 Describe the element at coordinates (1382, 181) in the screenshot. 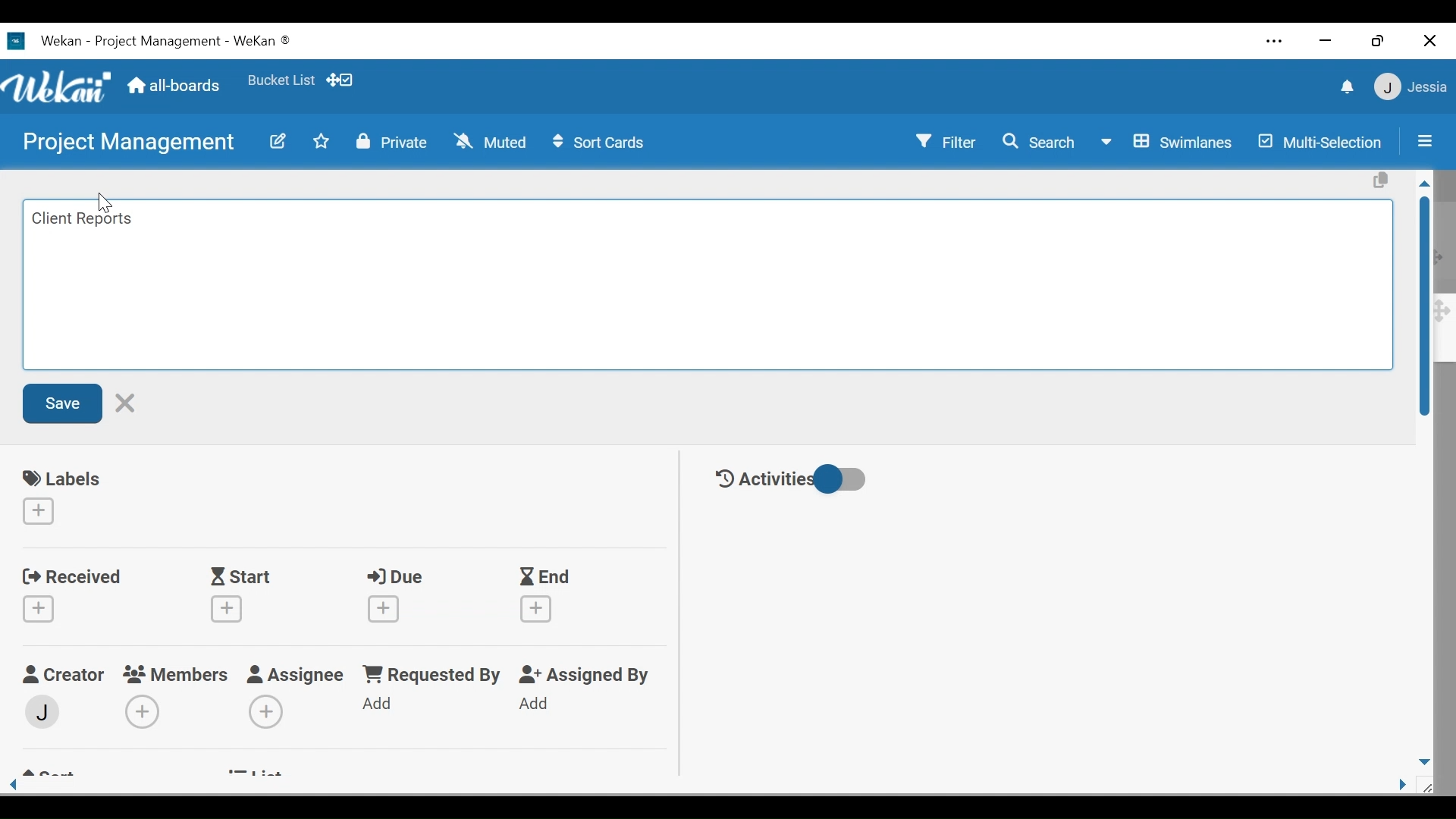

I see `Copy` at that location.